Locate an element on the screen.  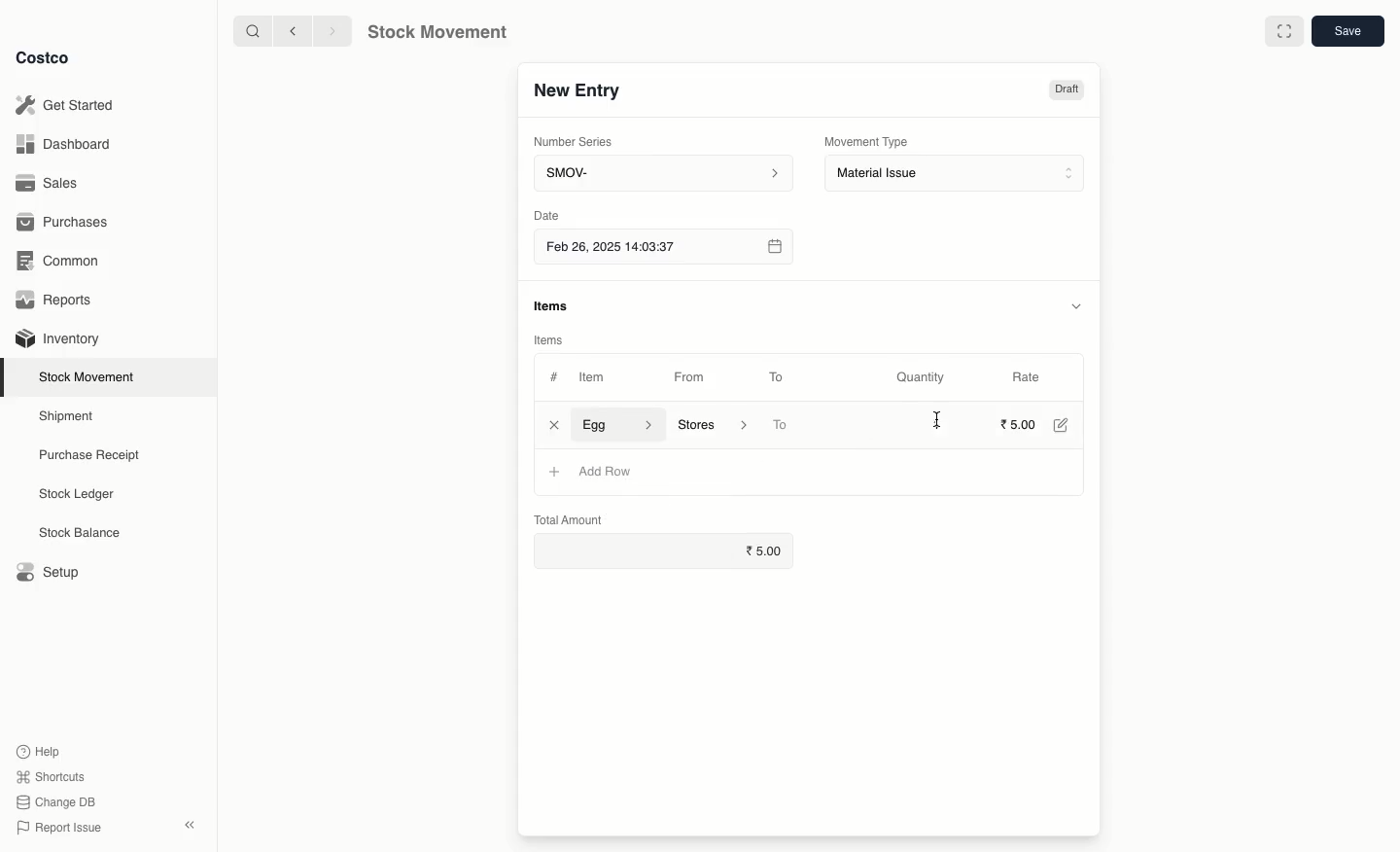
Items is located at coordinates (546, 339).